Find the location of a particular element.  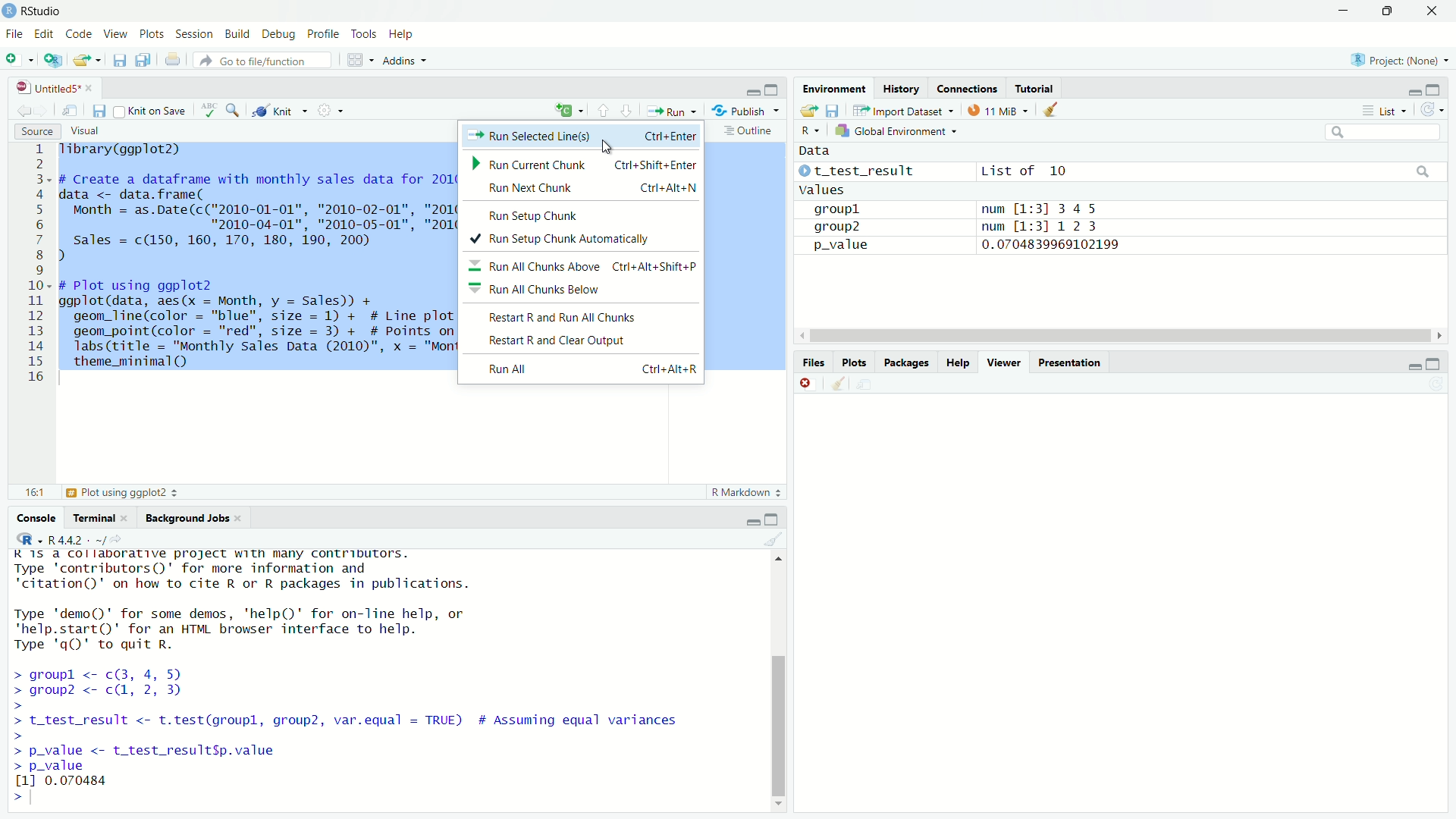

R Markdown is located at coordinates (746, 491).